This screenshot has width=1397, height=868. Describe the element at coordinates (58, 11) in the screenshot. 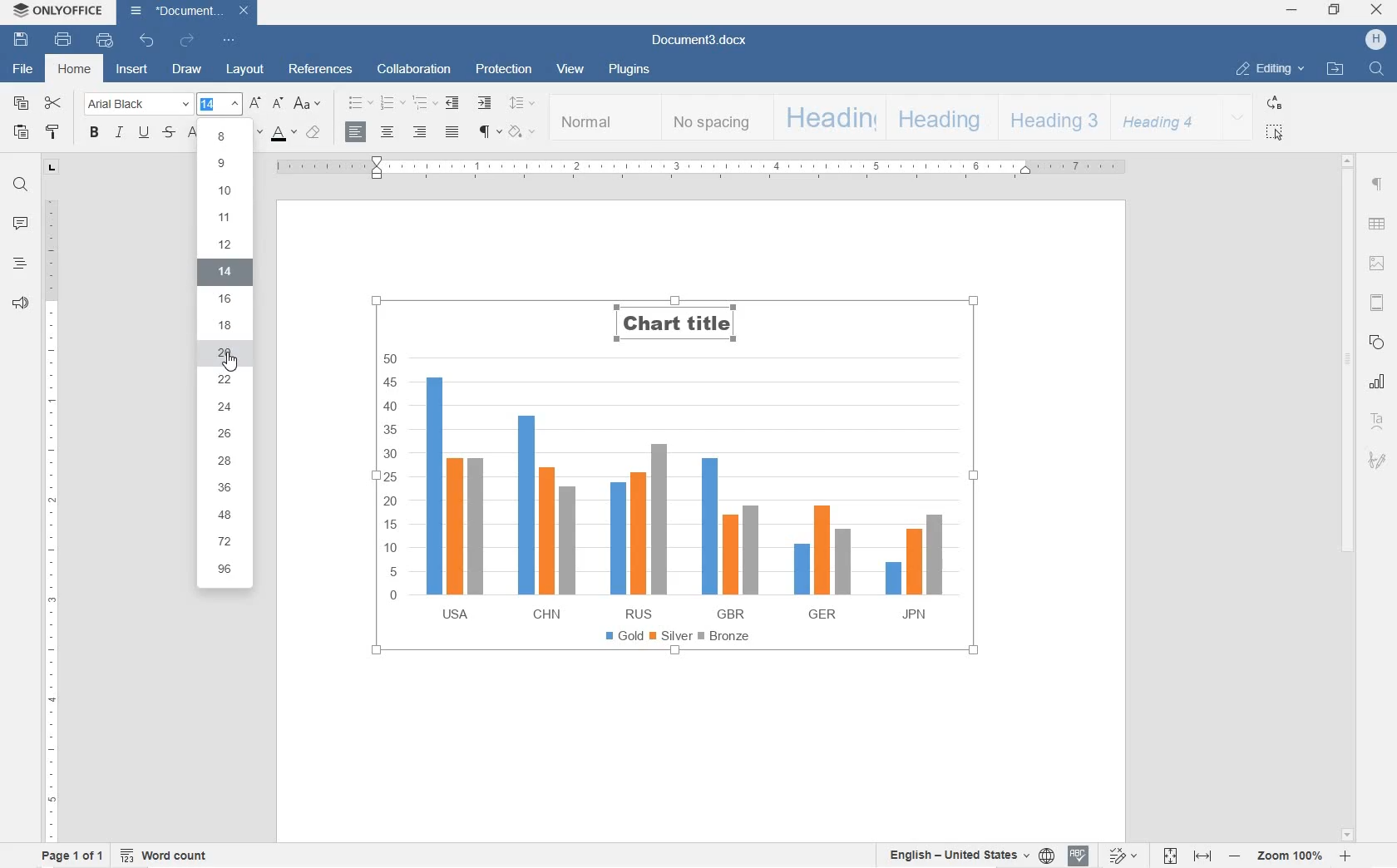

I see `ONLYOFFICE` at that location.